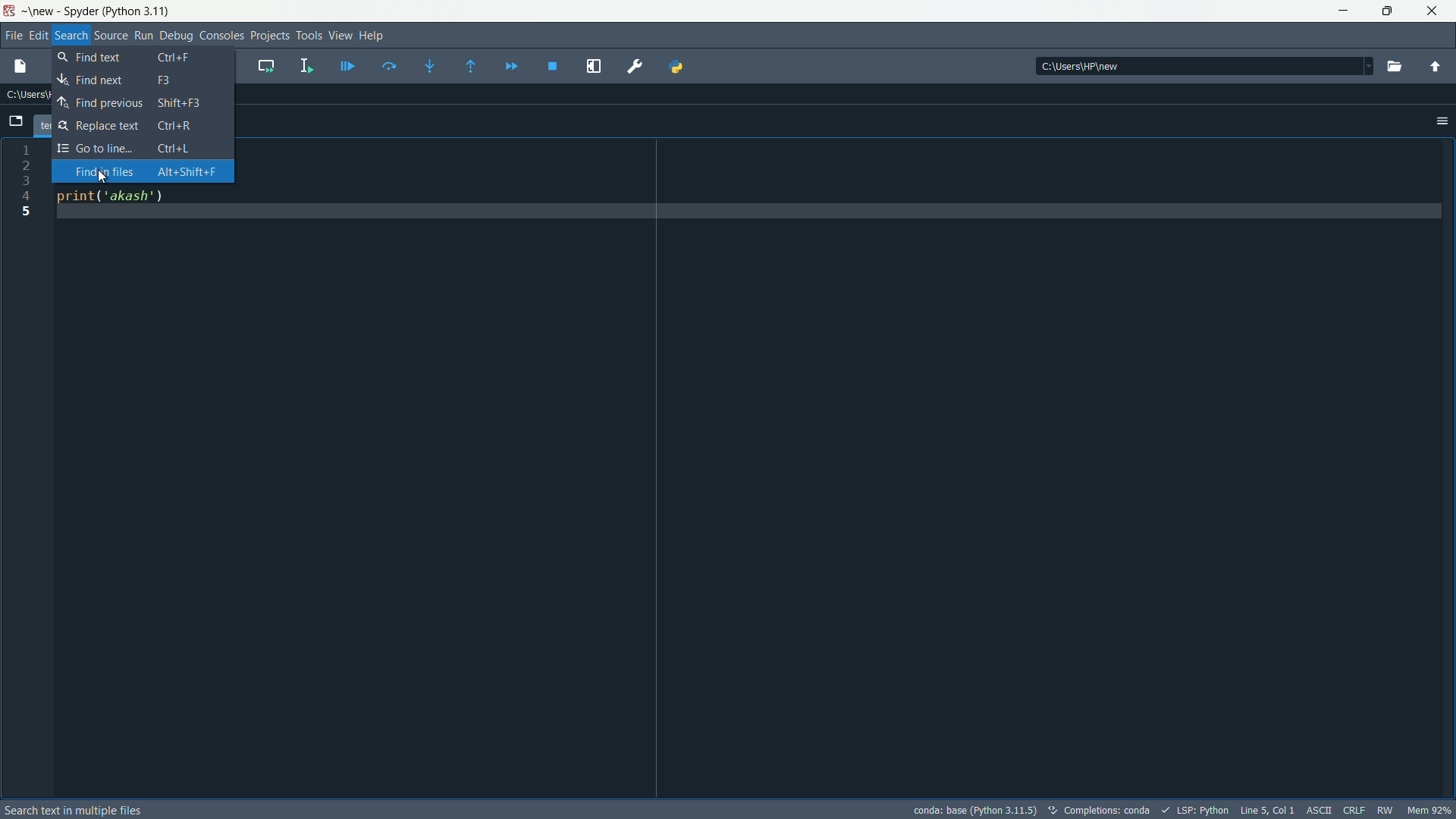 The image size is (1456, 819). What do you see at coordinates (468, 66) in the screenshot?
I see `run untill next function` at bounding box center [468, 66].